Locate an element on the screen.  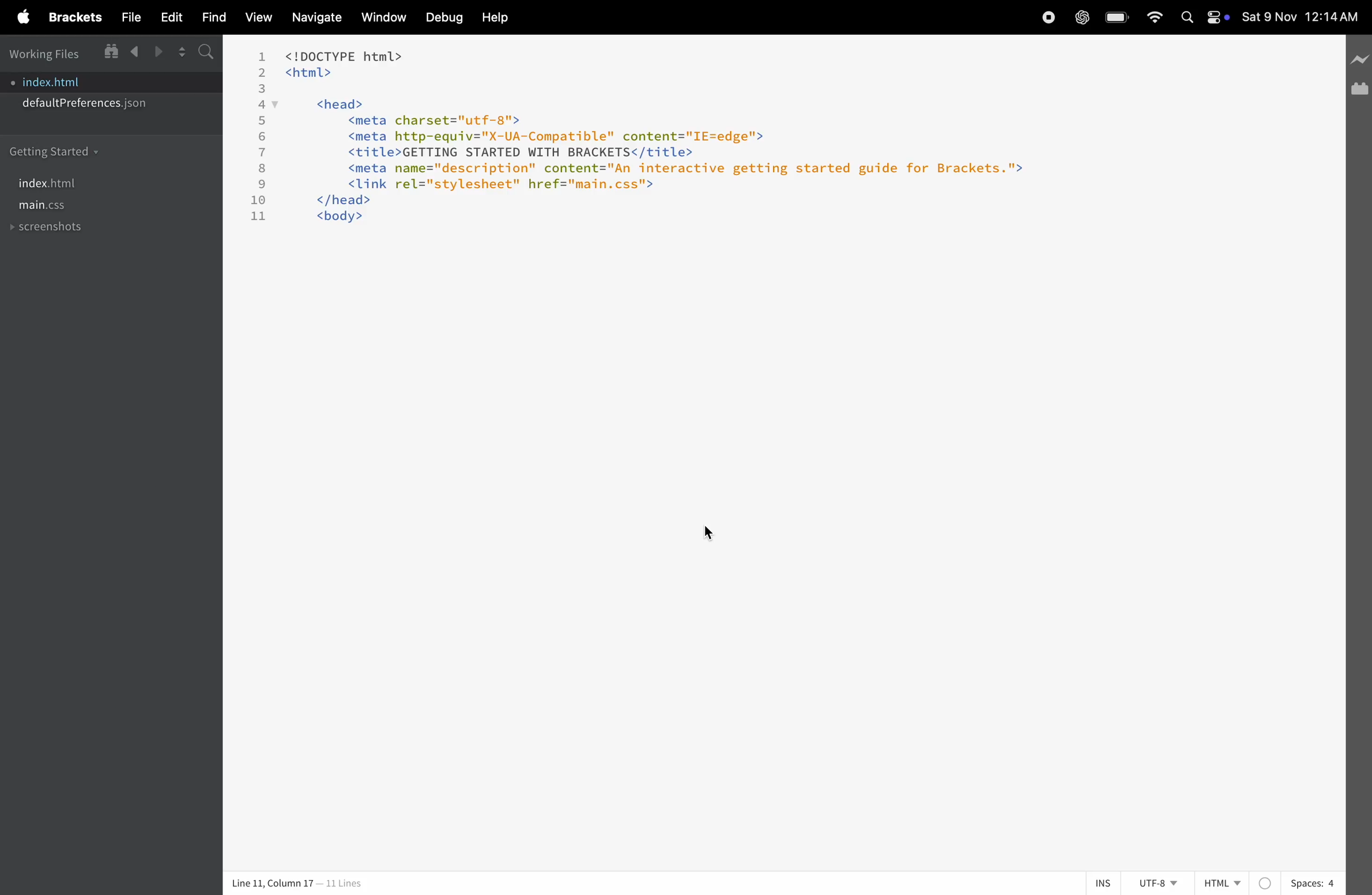
search is located at coordinates (209, 52).